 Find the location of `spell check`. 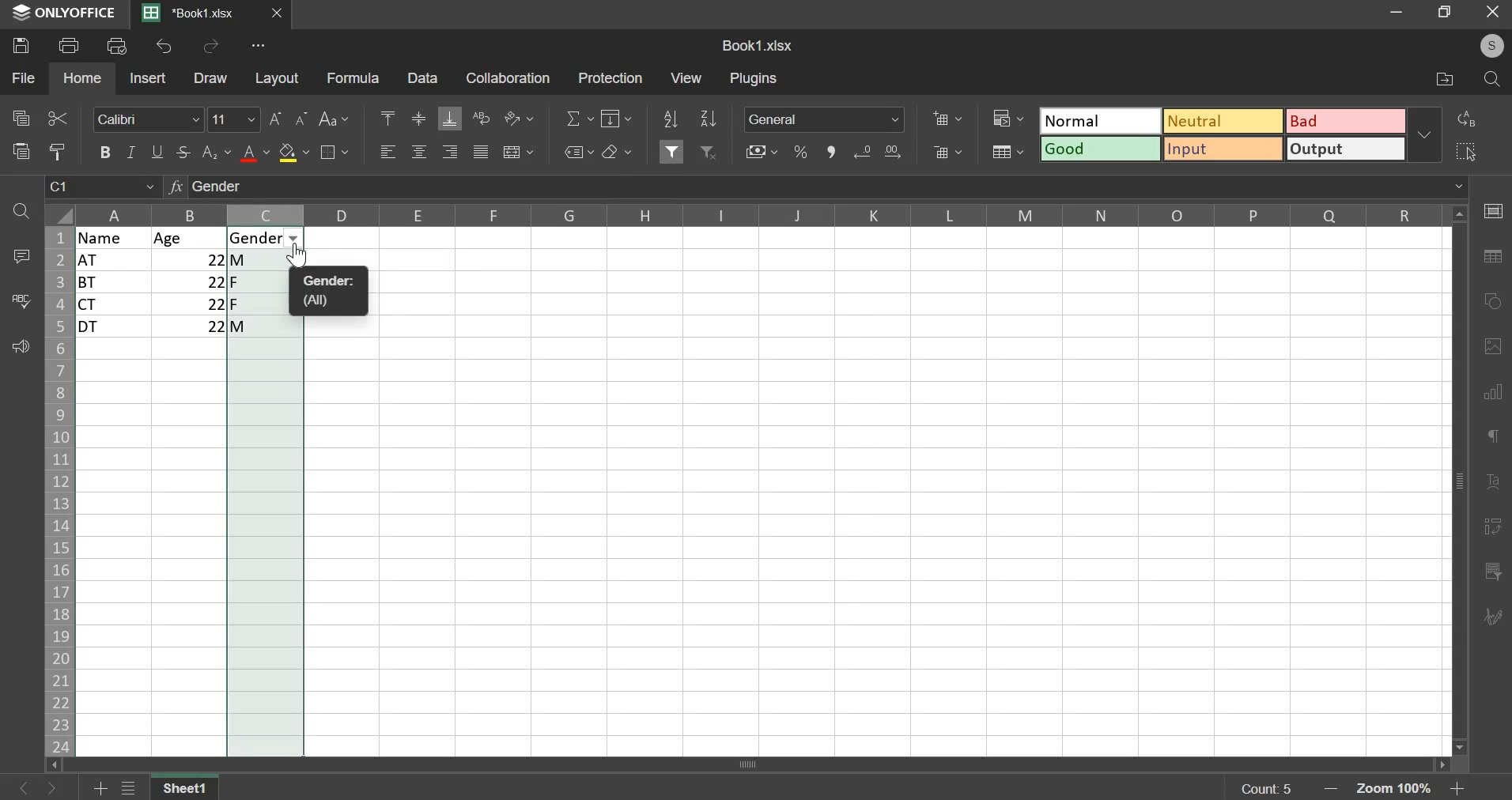

spell check is located at coordinates (18, 300).